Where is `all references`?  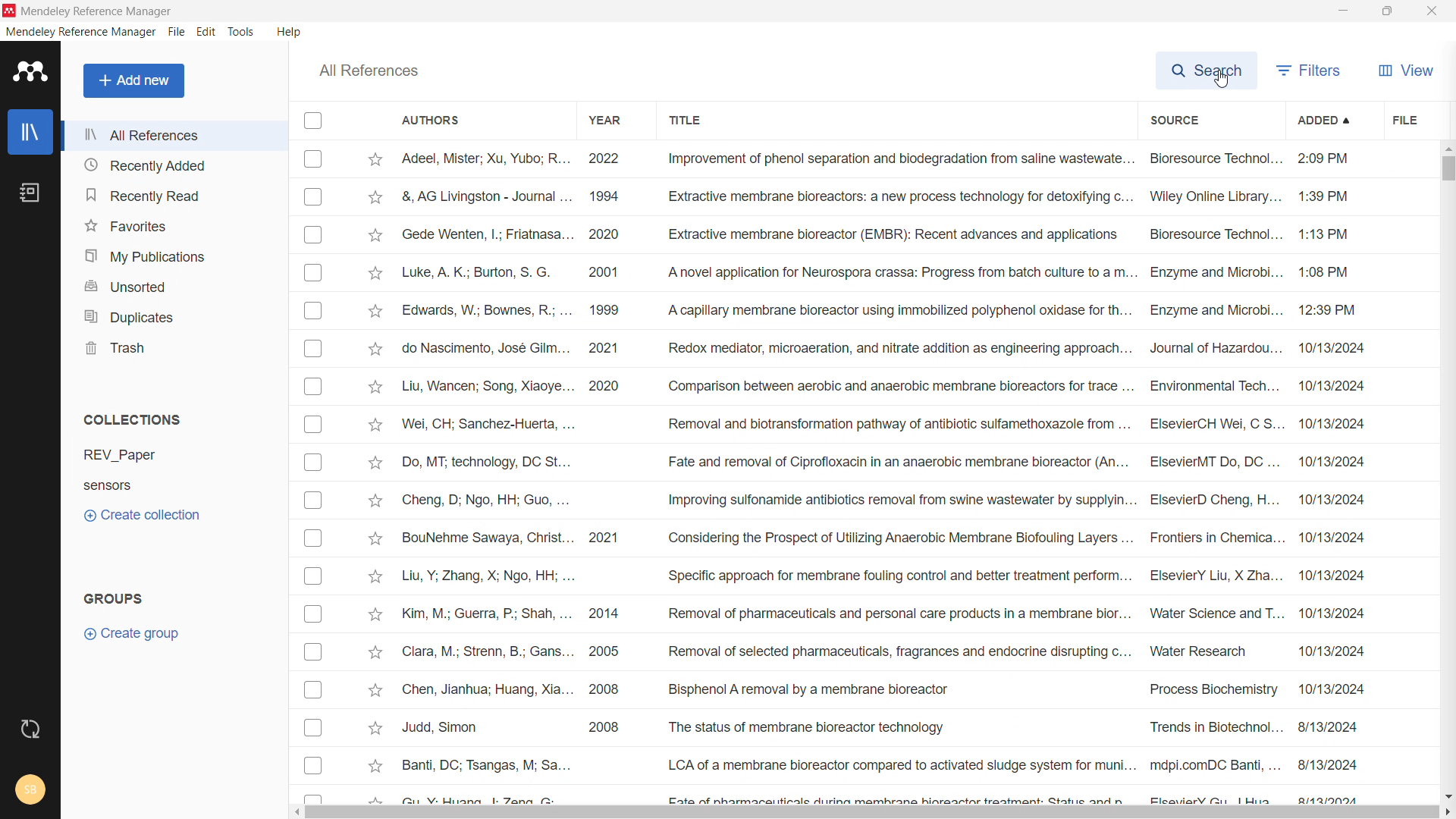 all references is located at coordinates (174, 136).